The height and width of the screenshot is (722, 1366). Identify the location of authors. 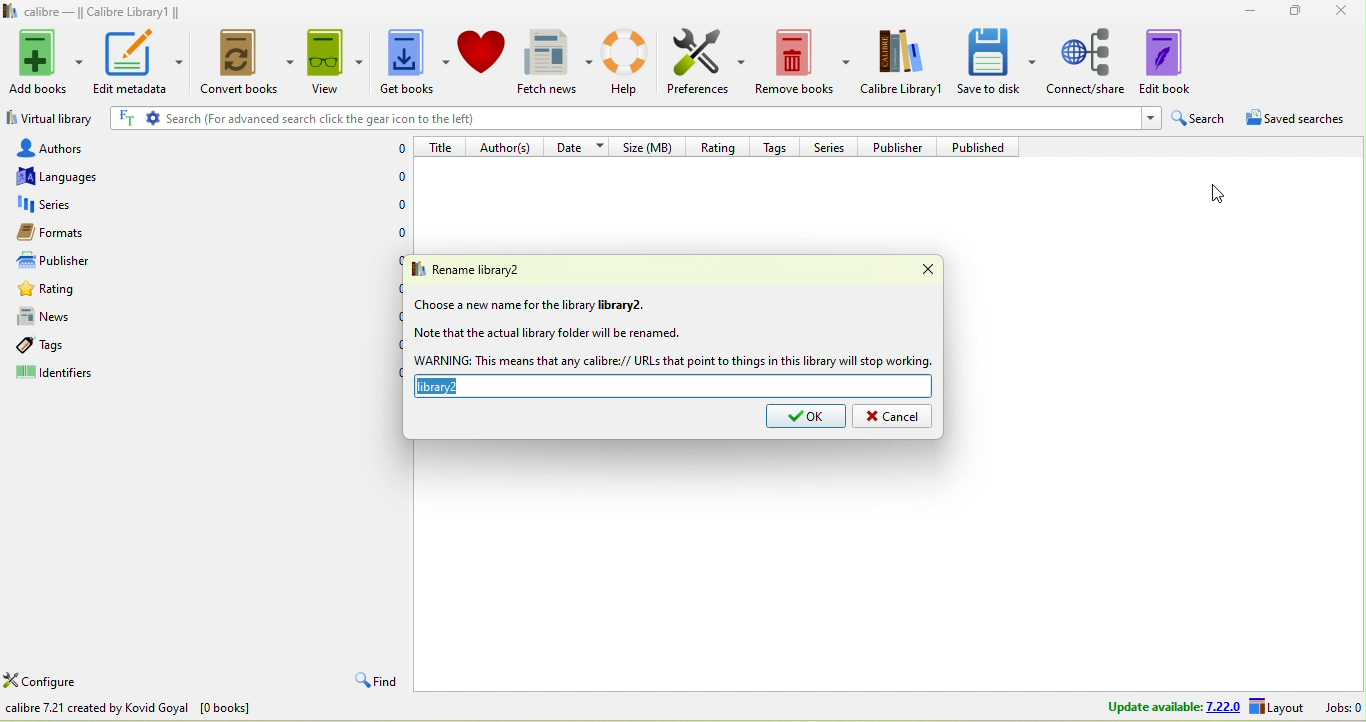
(69, 147).